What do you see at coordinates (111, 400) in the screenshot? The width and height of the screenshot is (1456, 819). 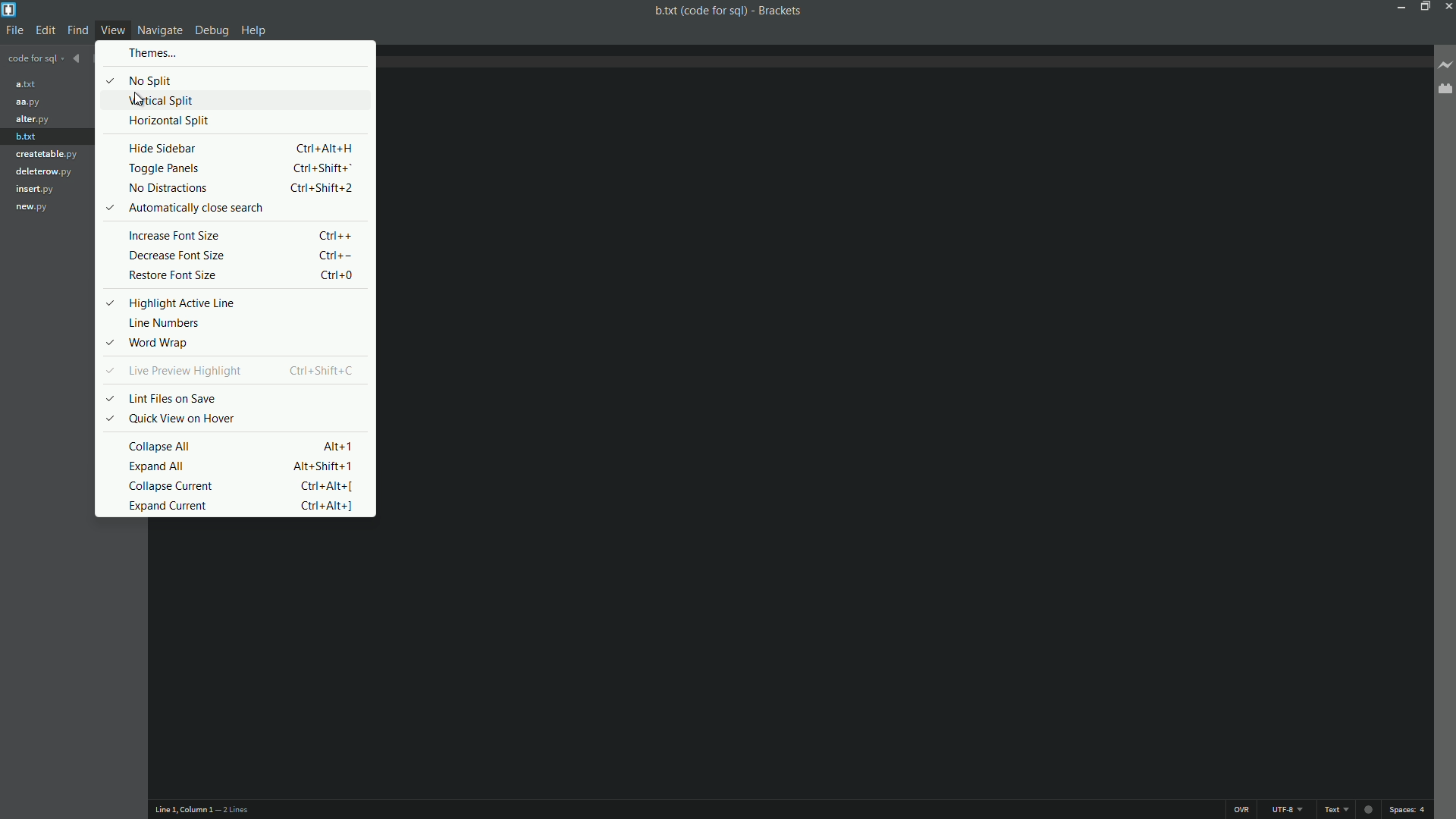 I see `Selected` at bounding box center [111, 400].